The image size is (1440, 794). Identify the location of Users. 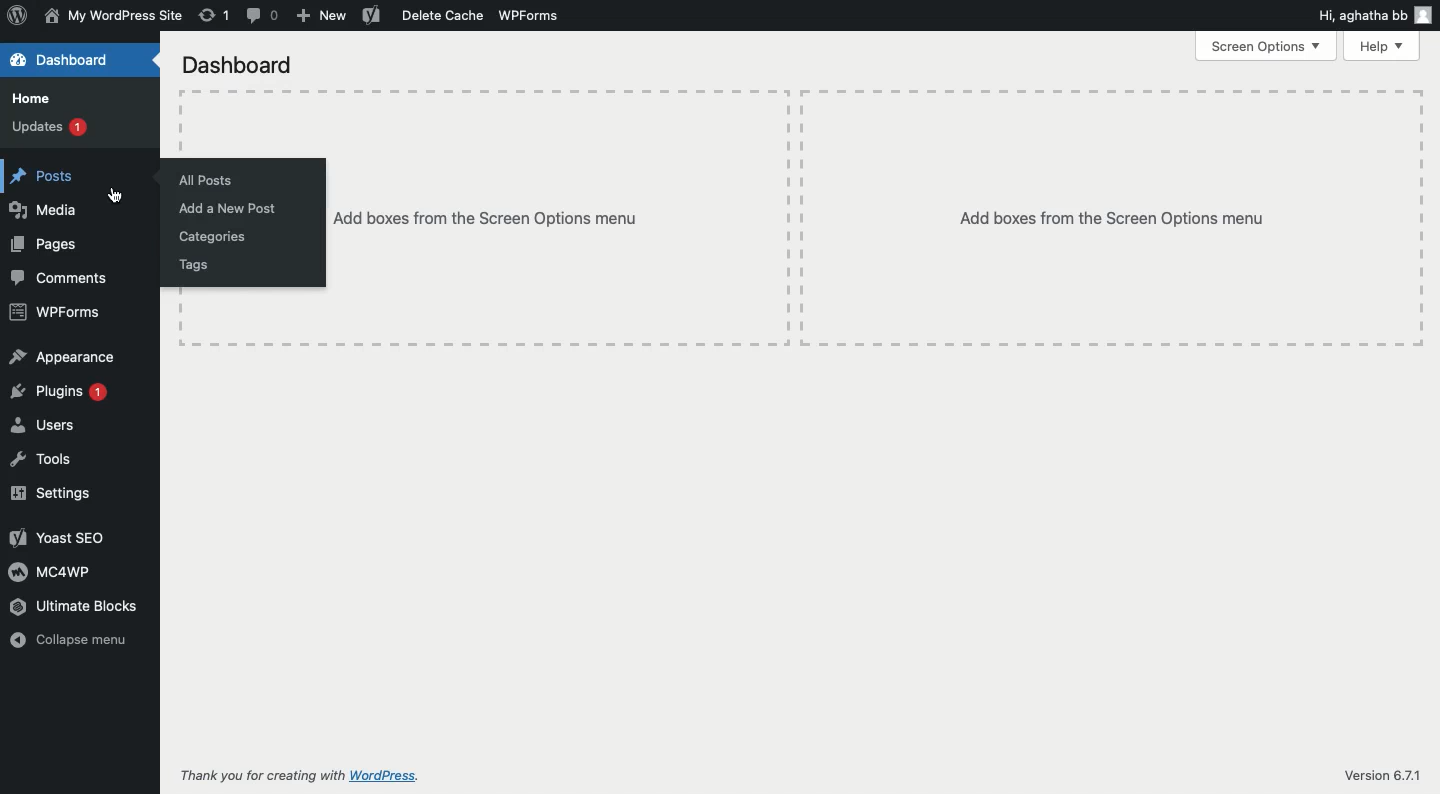
(47, 427).